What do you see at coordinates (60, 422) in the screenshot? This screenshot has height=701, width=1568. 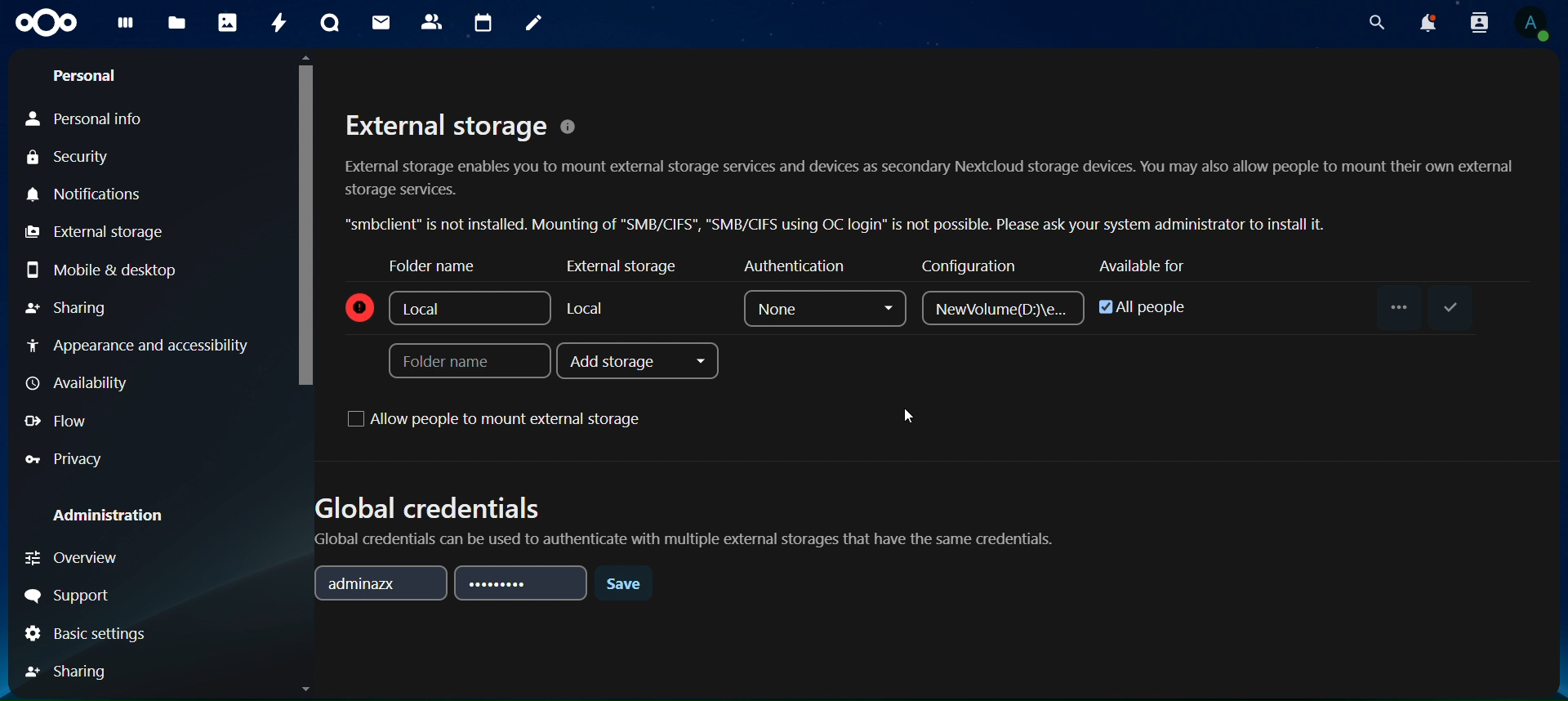 I see `flow` at bounding box center [60, 422].